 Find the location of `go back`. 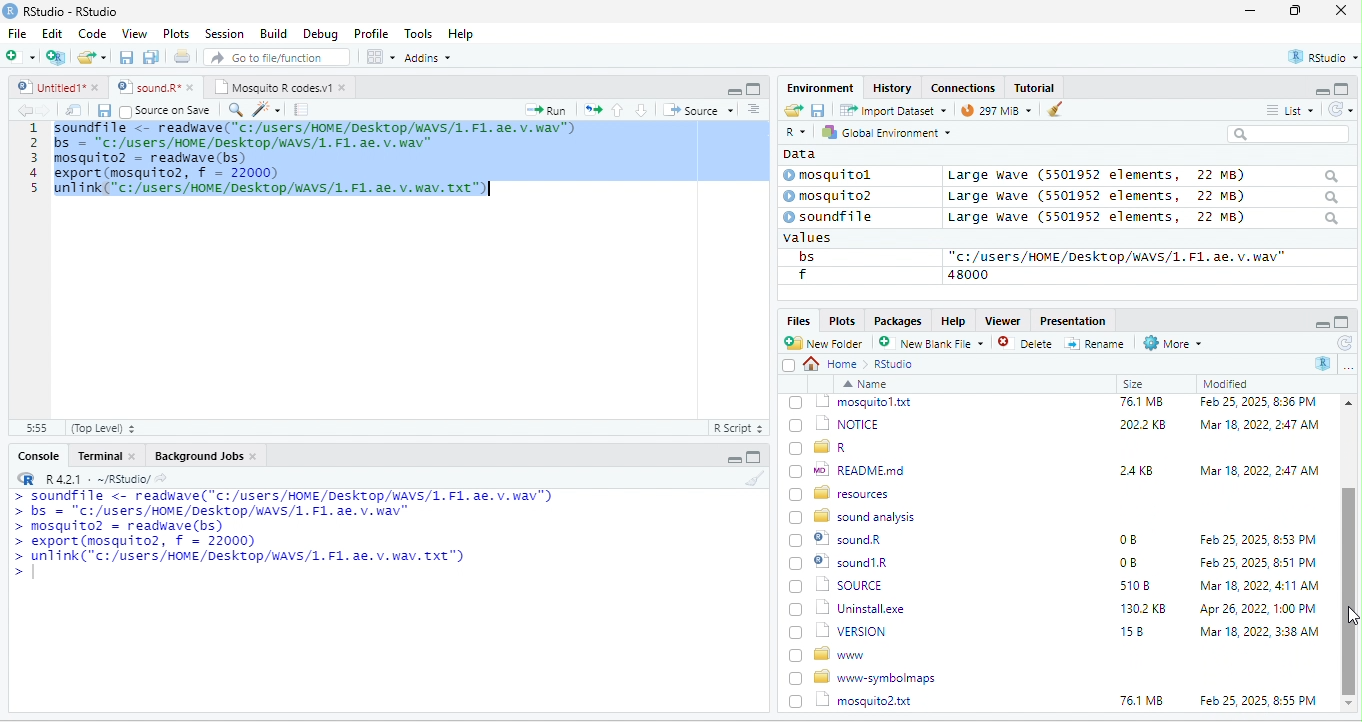

go back is located at coordinates (837, 404).